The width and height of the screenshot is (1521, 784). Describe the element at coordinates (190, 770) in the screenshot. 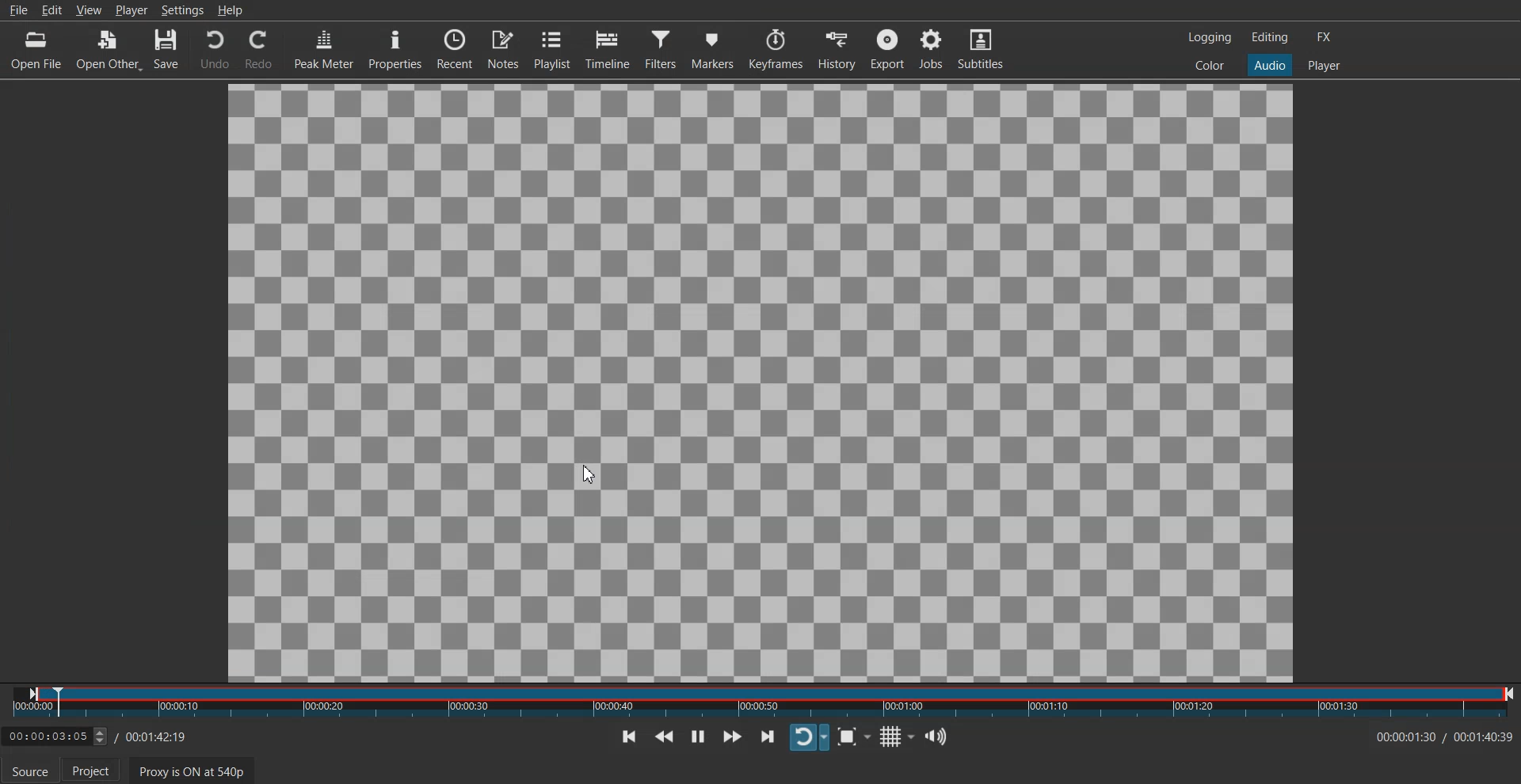

I see `Proxy is ON at 540p ` at that location.